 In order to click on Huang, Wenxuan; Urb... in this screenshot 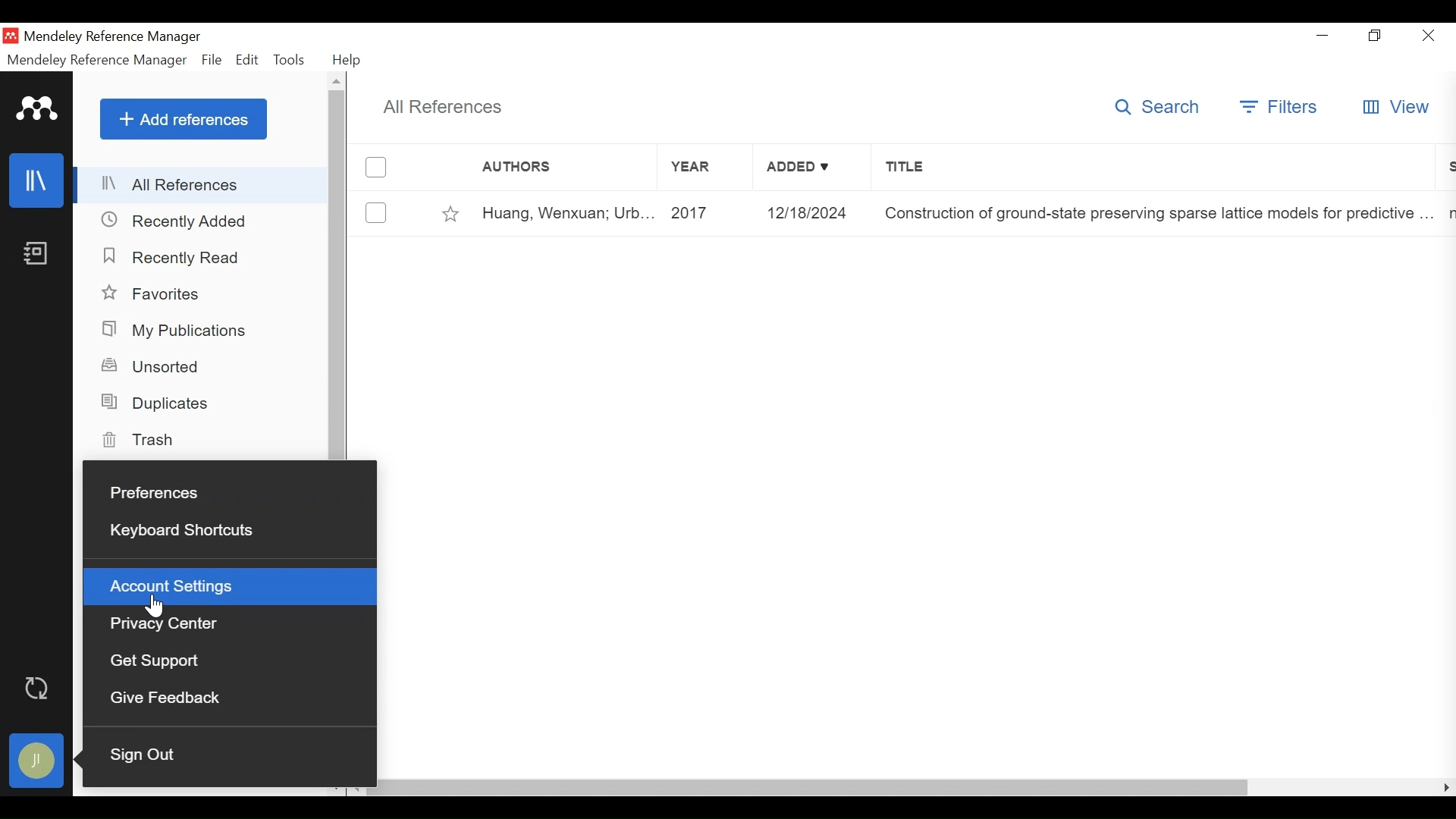, I will do `click(566, 214)`.